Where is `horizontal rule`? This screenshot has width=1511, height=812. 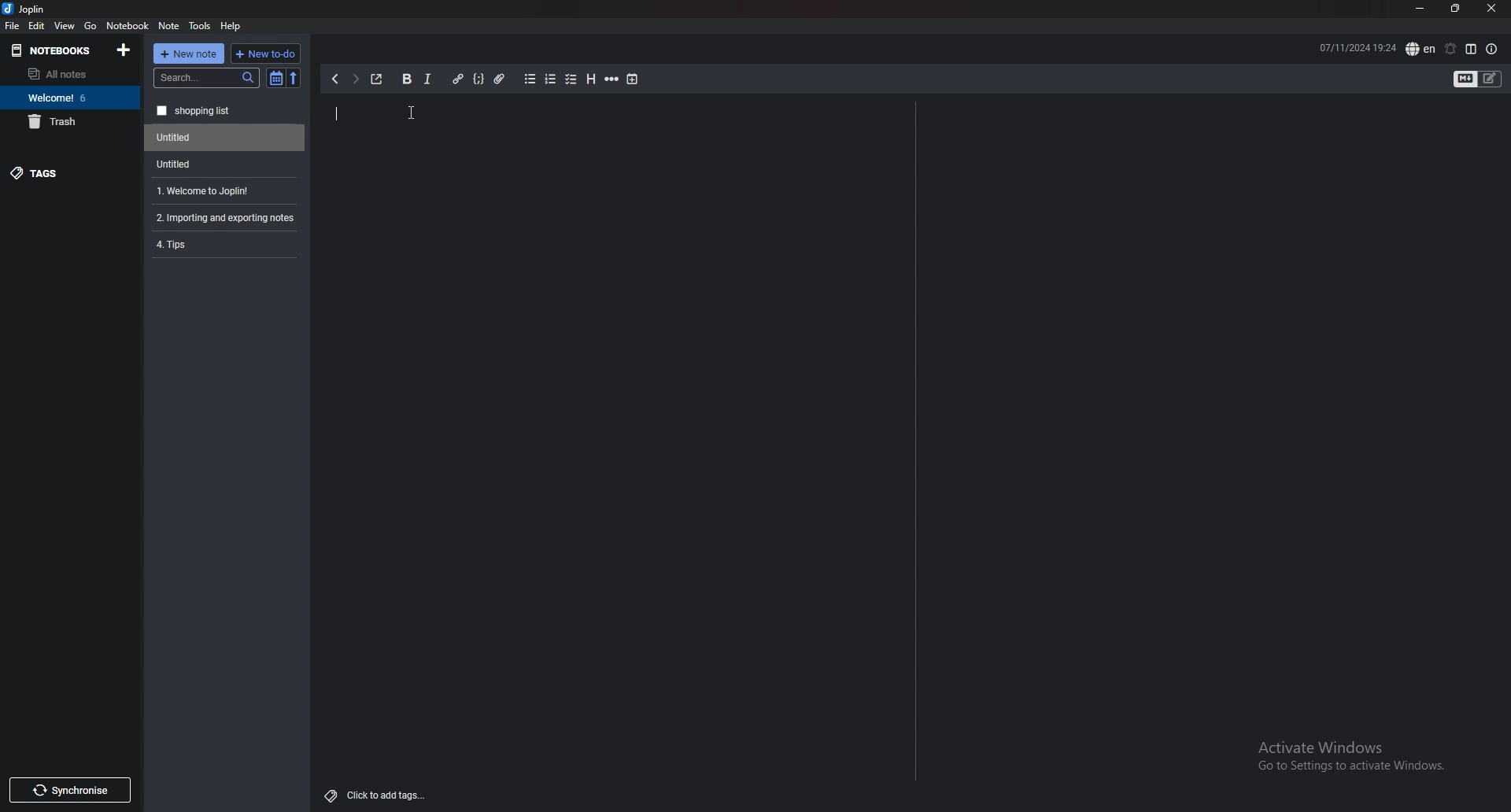
horizontal rule is located at coordinates (611, 79).